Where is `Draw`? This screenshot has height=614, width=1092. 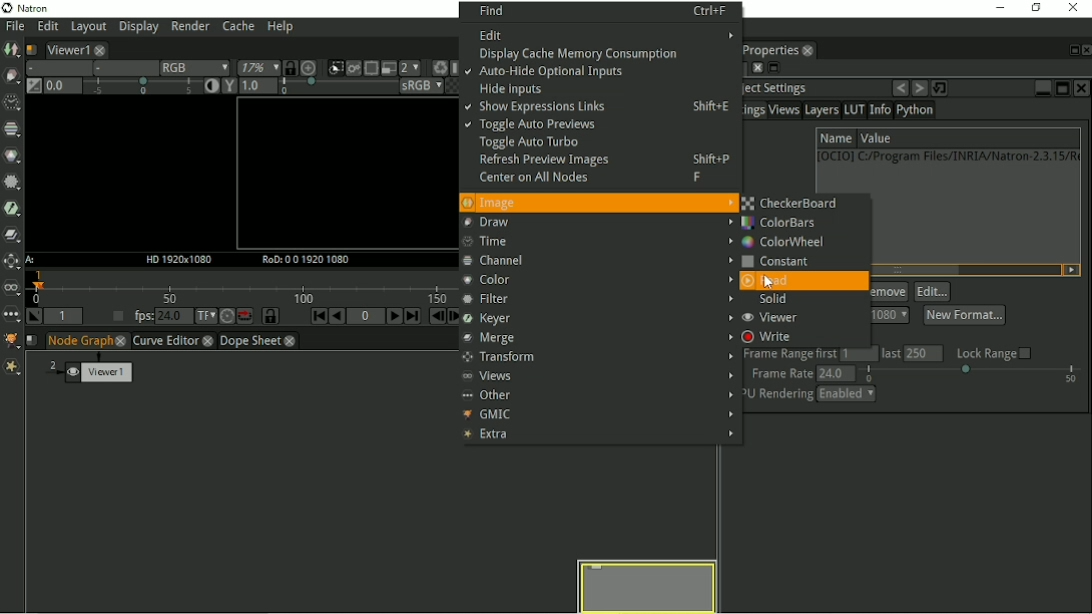 Draw is located at coordinates (597, 223).